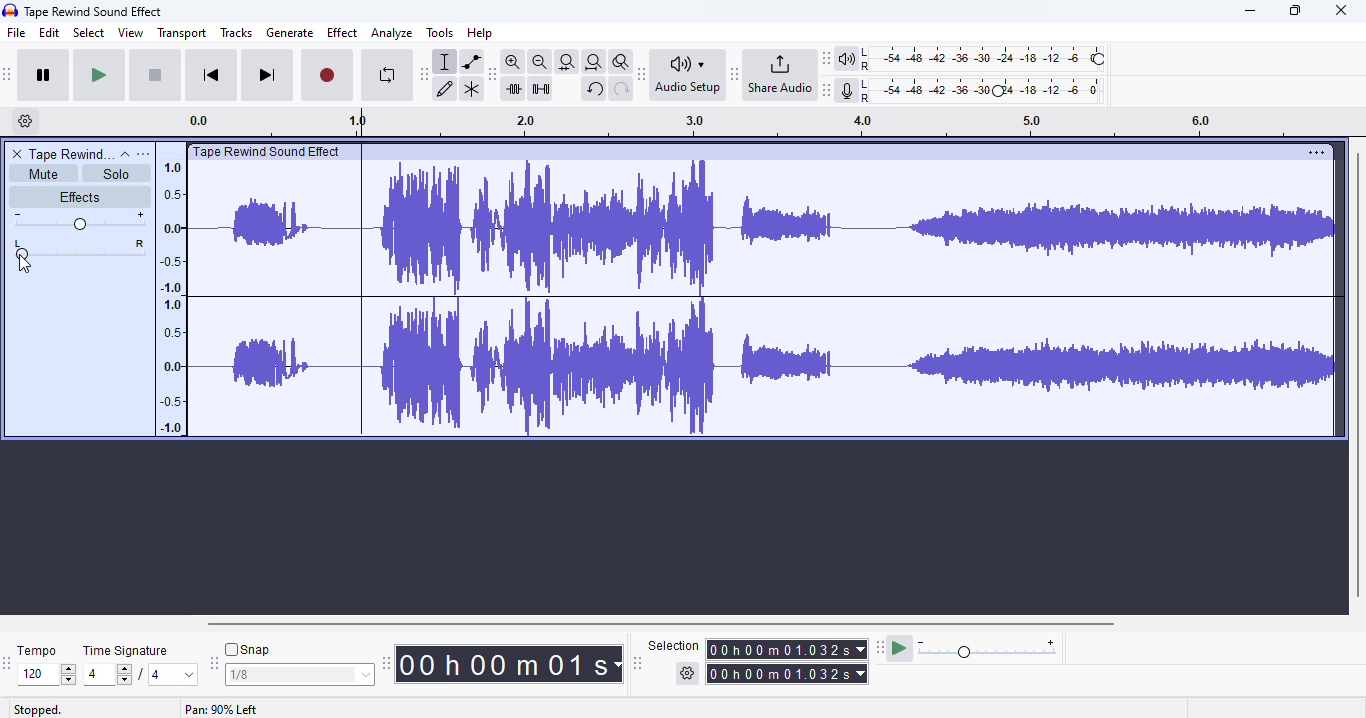 The image size is (1366, 718). Describe the element at coordinates (298, 675) in the screenshot. I see `1/8` at that location.